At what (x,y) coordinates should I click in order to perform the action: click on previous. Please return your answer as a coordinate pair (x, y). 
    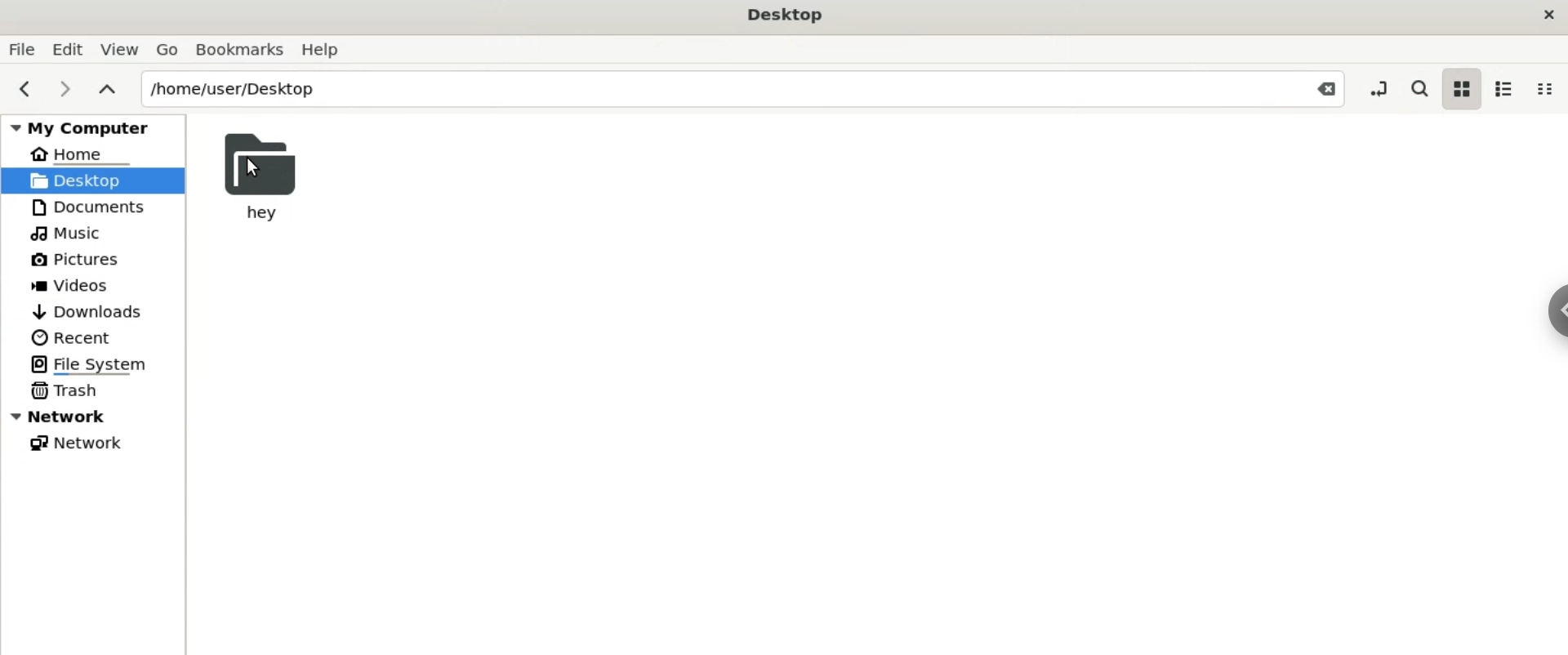
    Looking at the image, I should click on (21, 88).